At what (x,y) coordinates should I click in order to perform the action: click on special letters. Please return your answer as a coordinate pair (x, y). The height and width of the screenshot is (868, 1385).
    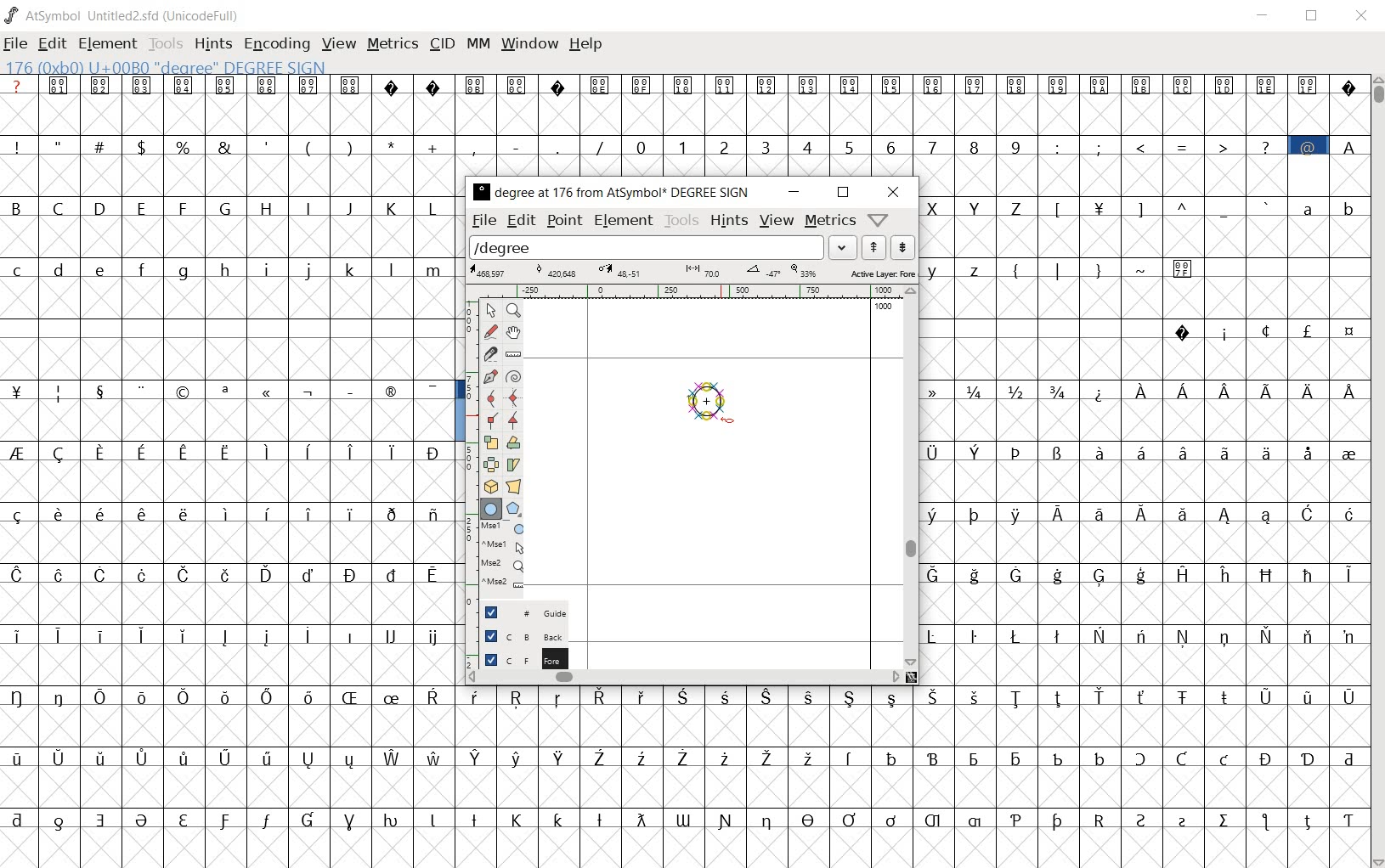
    Looking at the image, I should click on (1139, 511).